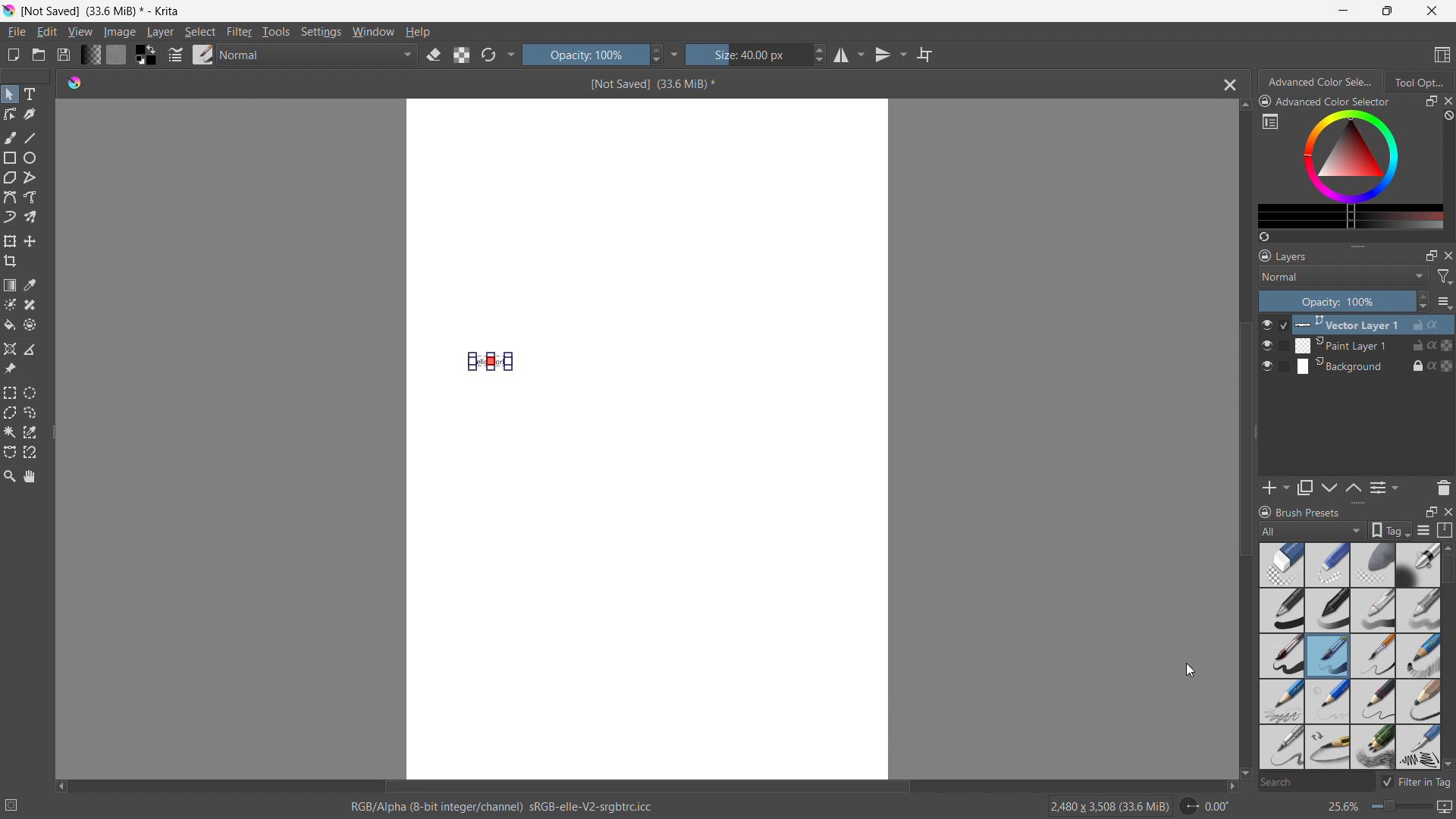 This screenshot has height=819, width=1456. I want to click on more settings, so click(675, 54).